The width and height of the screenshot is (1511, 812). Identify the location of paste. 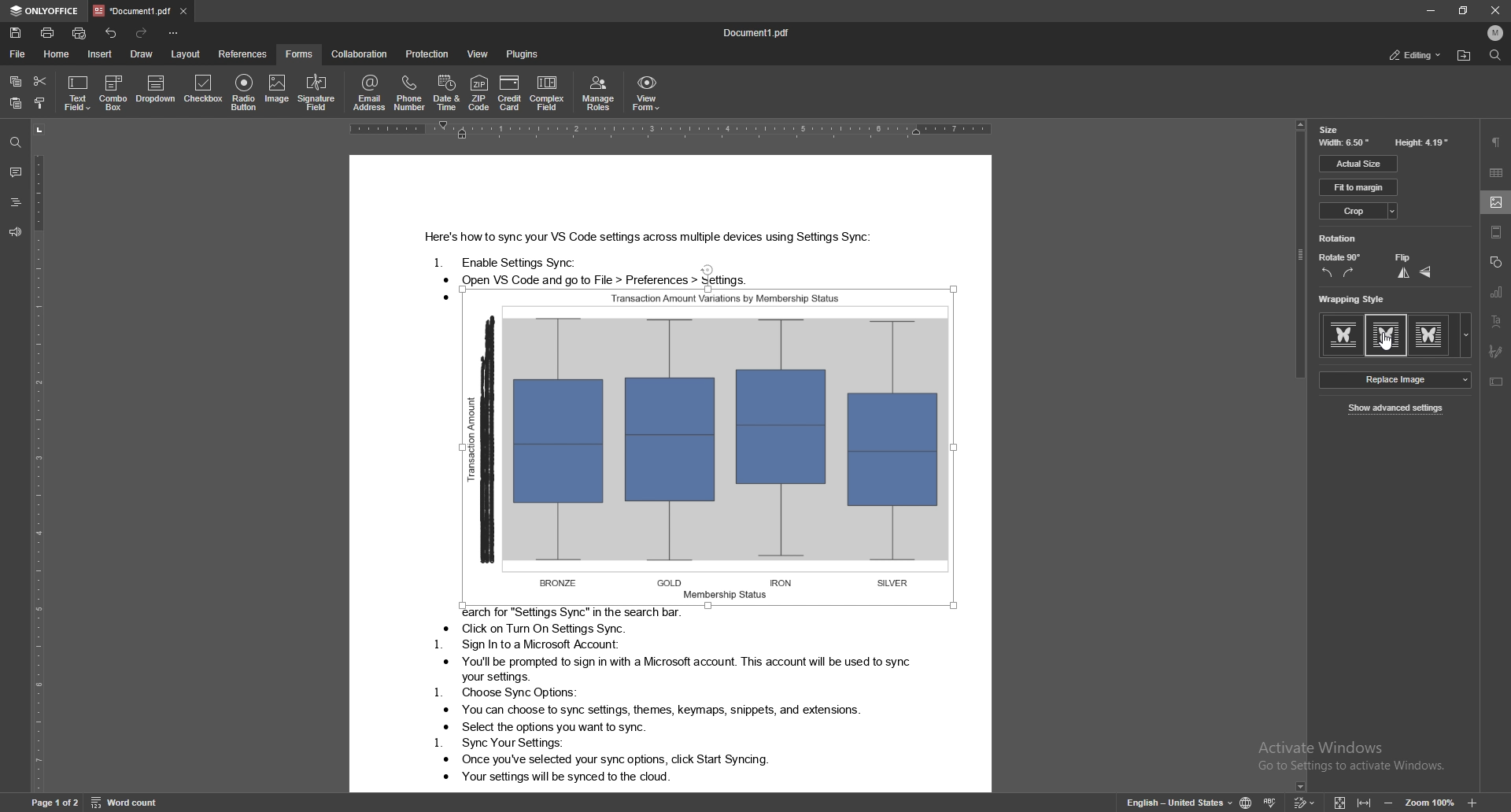
(15, 103).